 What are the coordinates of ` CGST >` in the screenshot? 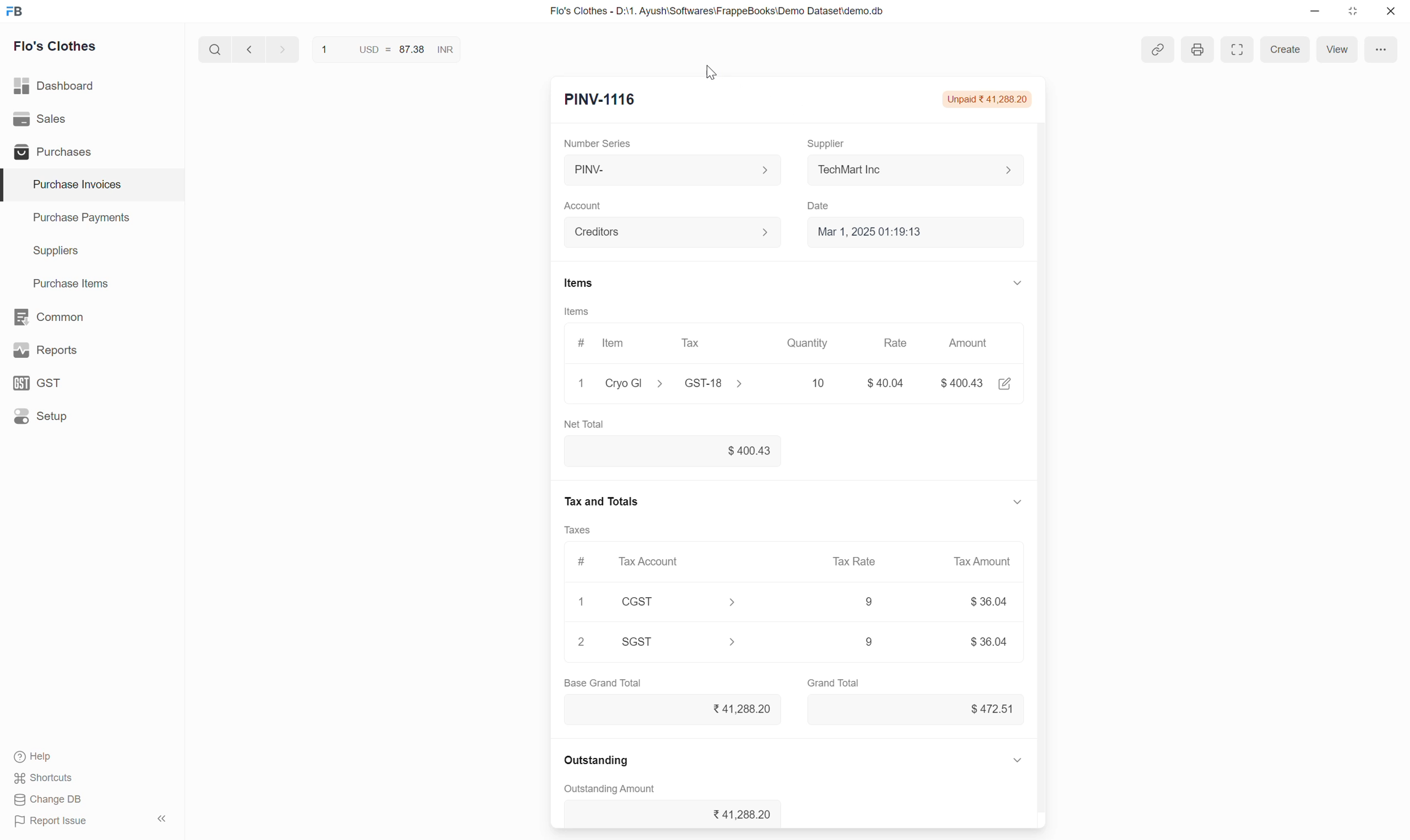 It's located at (687, 602).